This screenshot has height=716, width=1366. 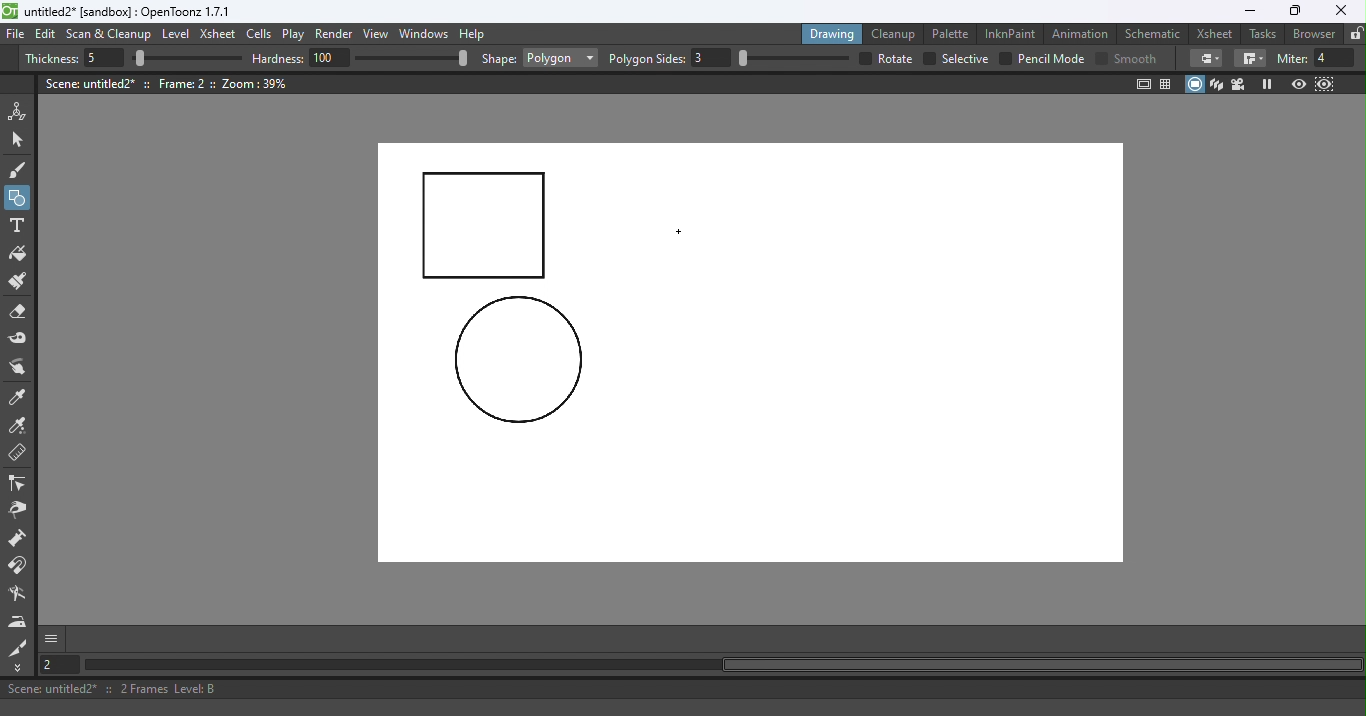 What do you see at coordinates (330, 57) in the screenshot?
I see `100` at bounding box center [330, 57].